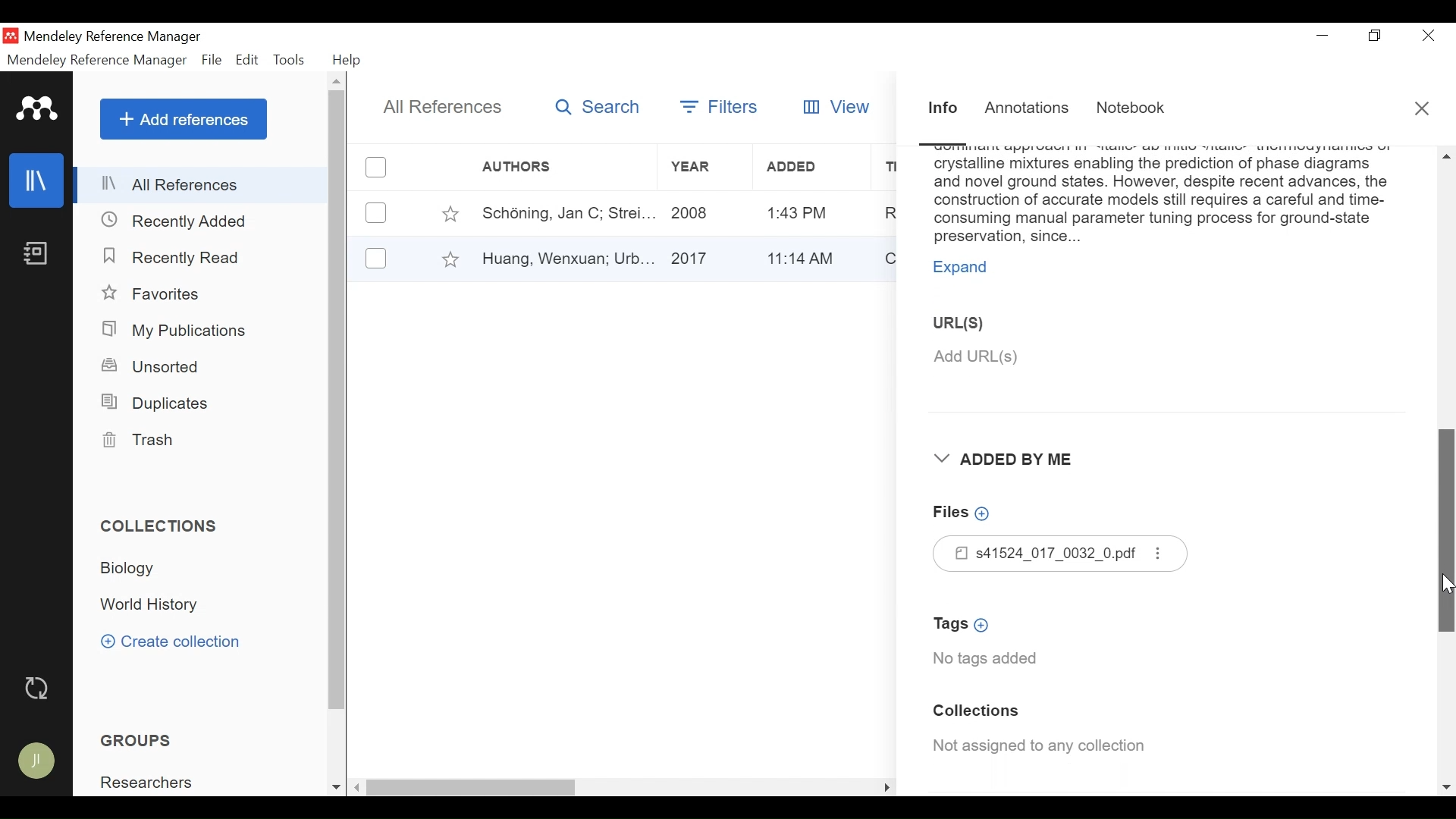  I want to click on (un)select, so click(376, 213).